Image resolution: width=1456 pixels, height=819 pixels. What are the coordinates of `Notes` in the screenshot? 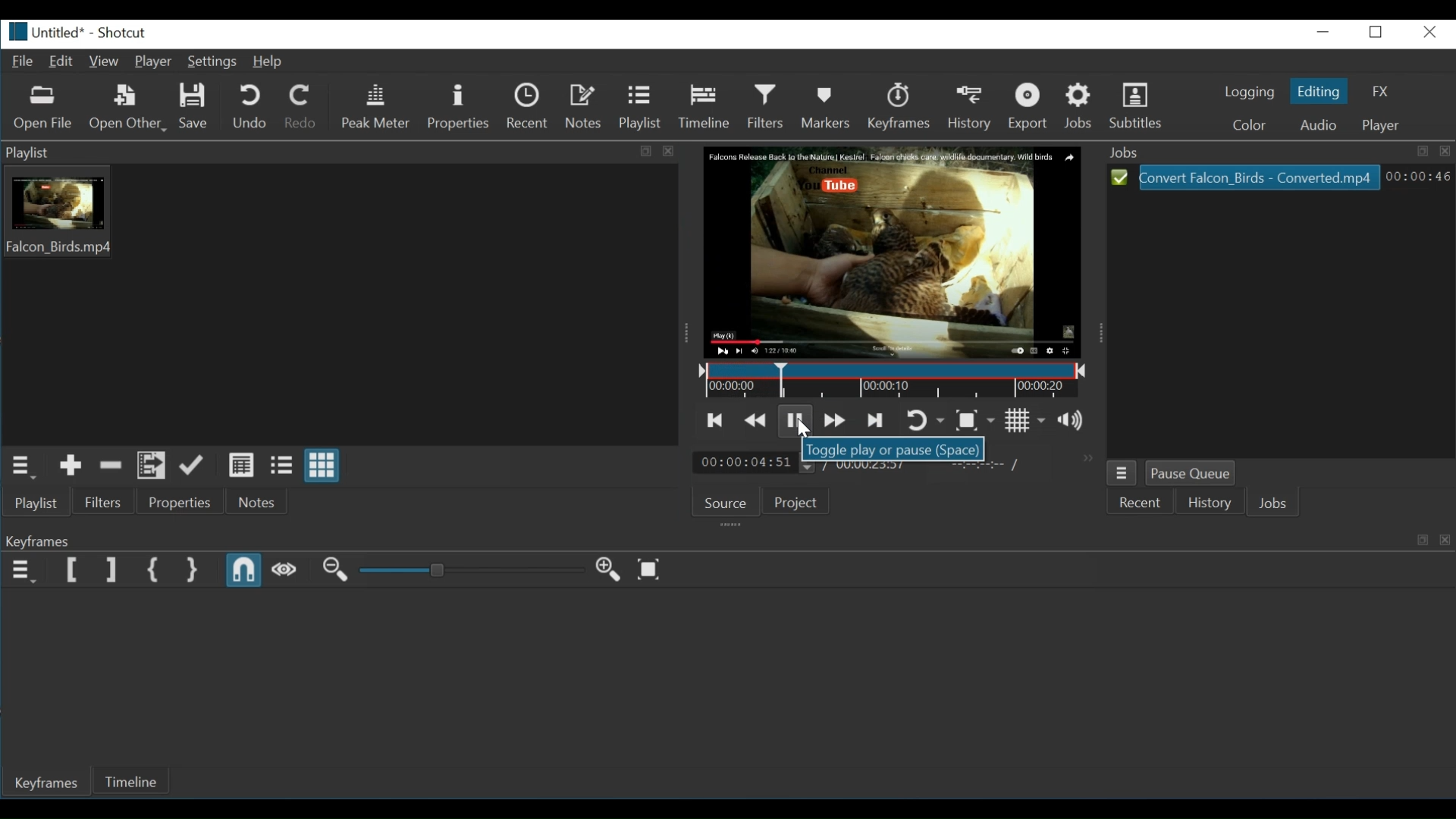 It's located at (583, 106).